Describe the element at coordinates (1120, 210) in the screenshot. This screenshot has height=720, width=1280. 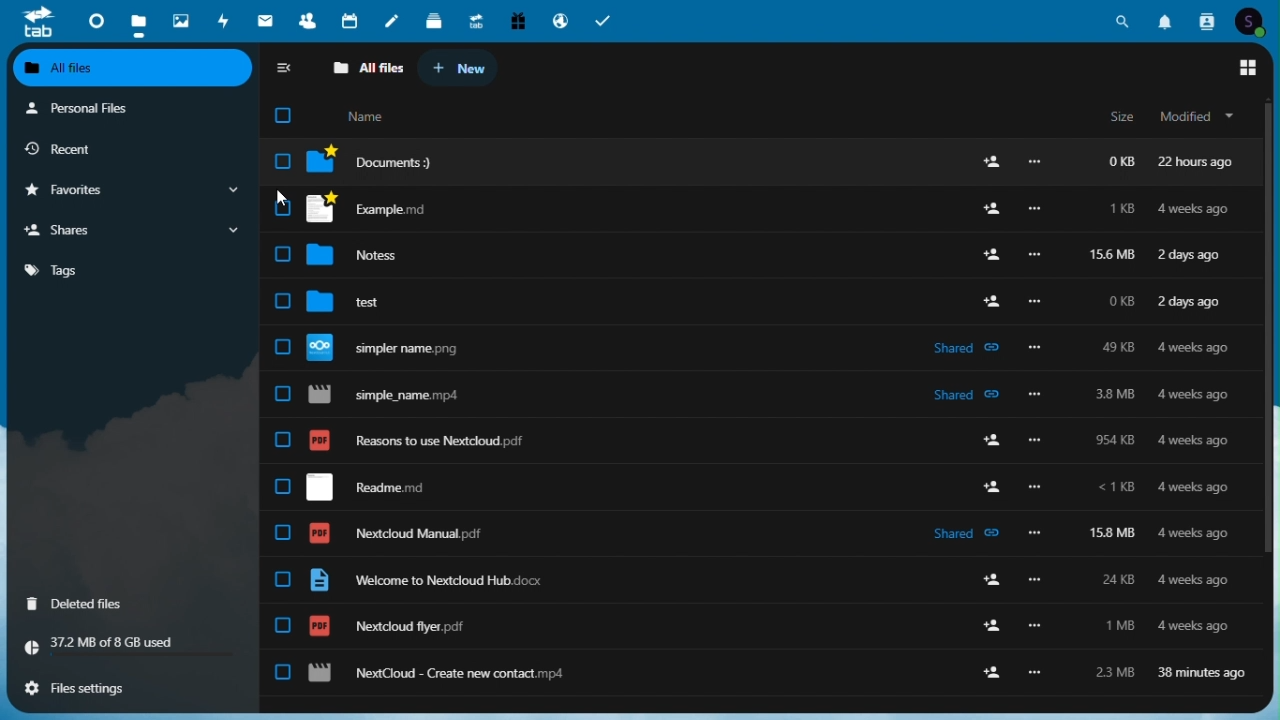
I see `1kb` at that location.